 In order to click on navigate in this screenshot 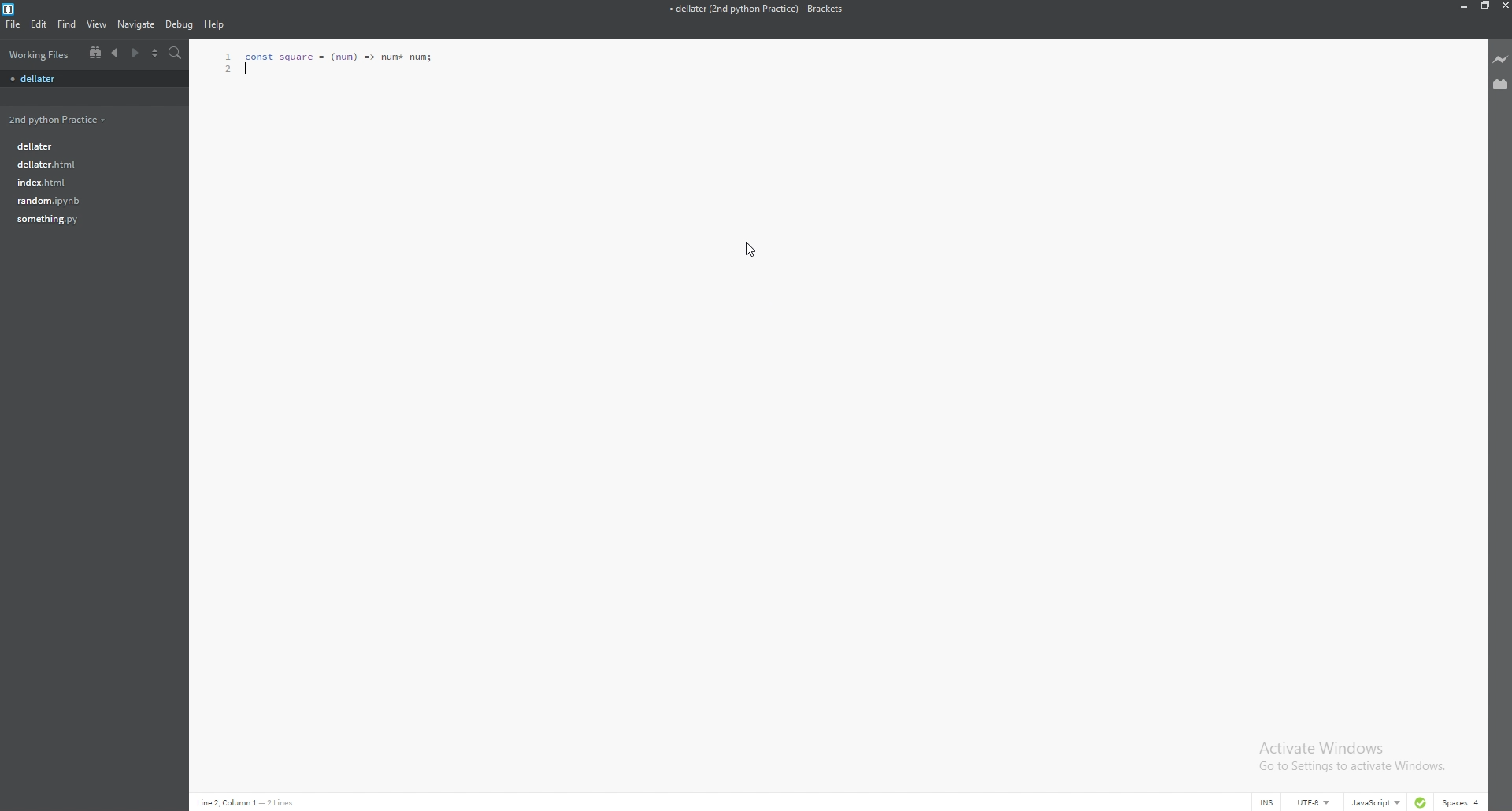, I will do `click(136, 24)`.